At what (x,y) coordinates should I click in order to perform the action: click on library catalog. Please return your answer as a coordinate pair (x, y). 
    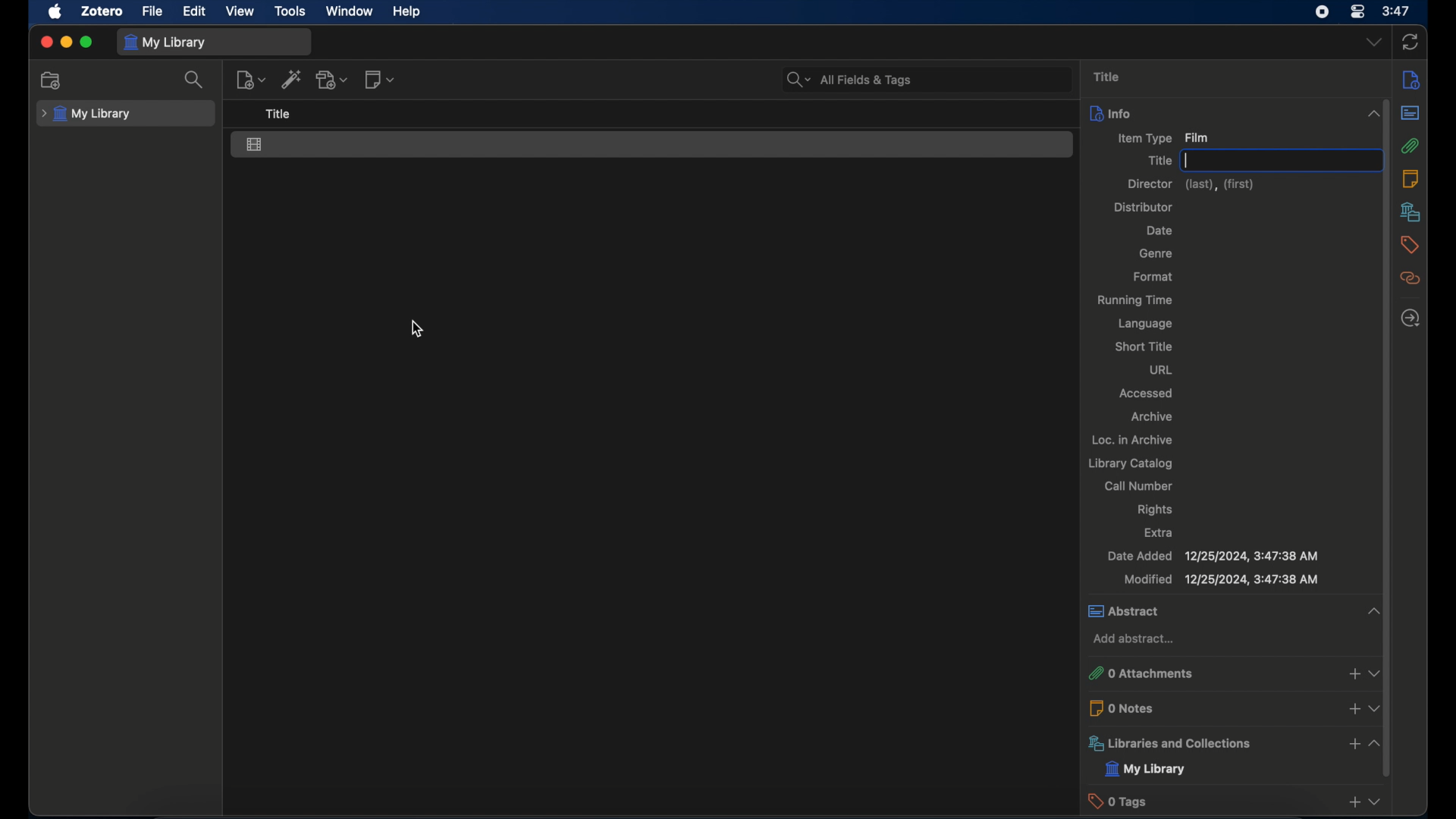
    Looking at the image, I should click on (1134, 464).